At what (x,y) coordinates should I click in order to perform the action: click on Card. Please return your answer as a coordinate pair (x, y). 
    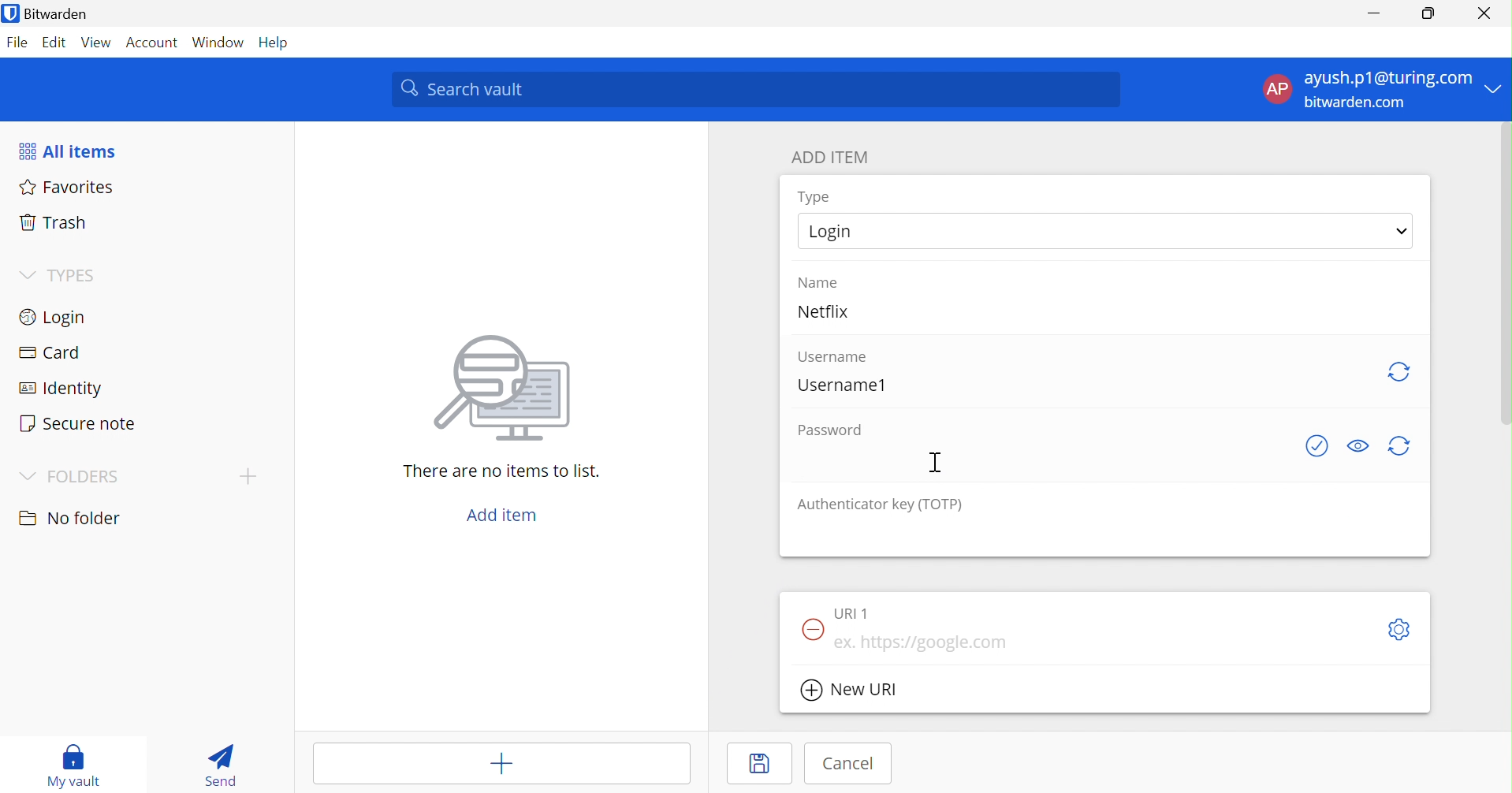
    Looking at the image, I should click on (47, 350).